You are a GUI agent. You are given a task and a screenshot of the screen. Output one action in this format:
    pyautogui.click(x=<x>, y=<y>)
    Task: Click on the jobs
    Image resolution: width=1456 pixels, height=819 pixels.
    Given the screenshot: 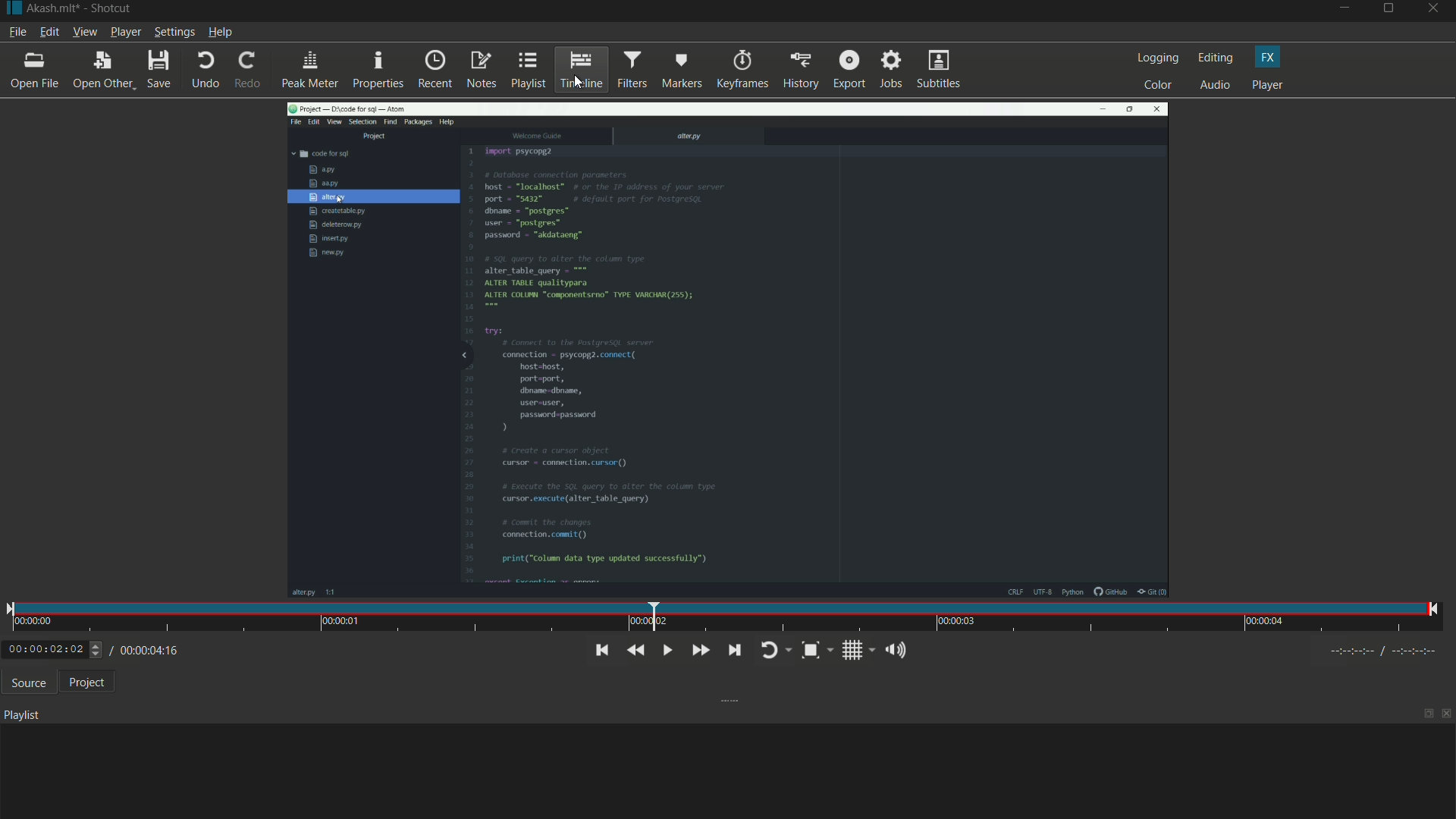 What is the action you would take?
    pyautogui.click(x=891, y=71)
    